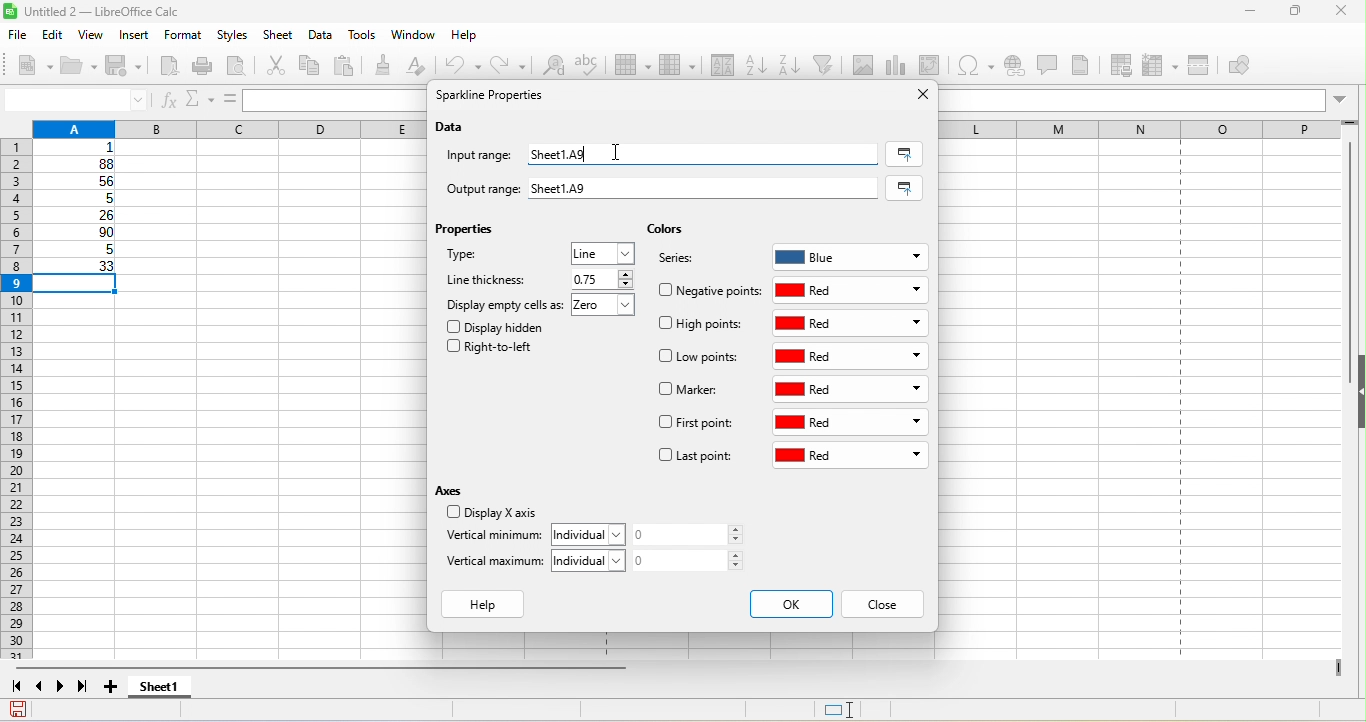  Describe the element at coordinates (136, 36) in the screenshot. I see `insert` at that location.